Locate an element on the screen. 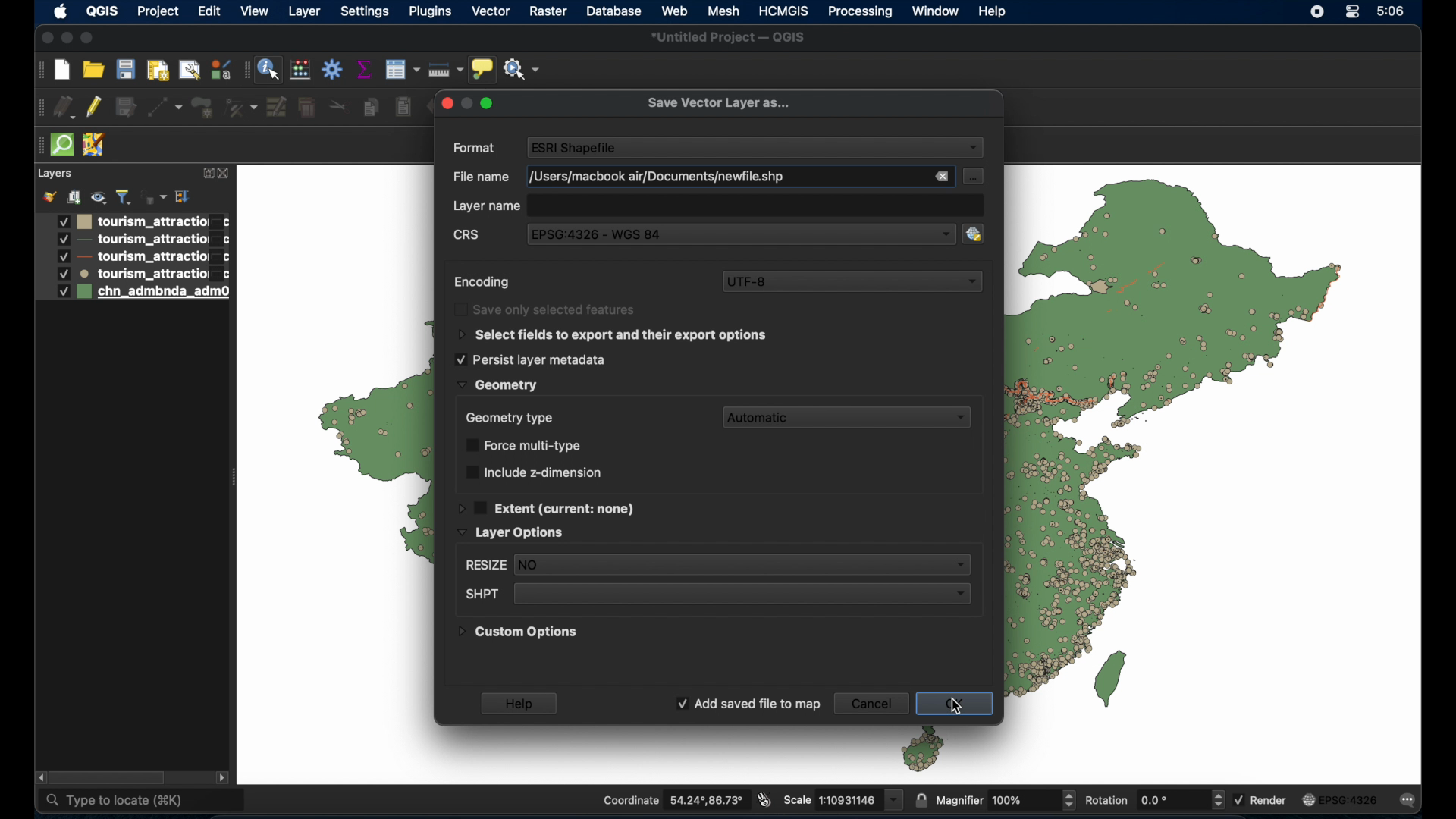  drag handle is located at coordinates (37, 146).